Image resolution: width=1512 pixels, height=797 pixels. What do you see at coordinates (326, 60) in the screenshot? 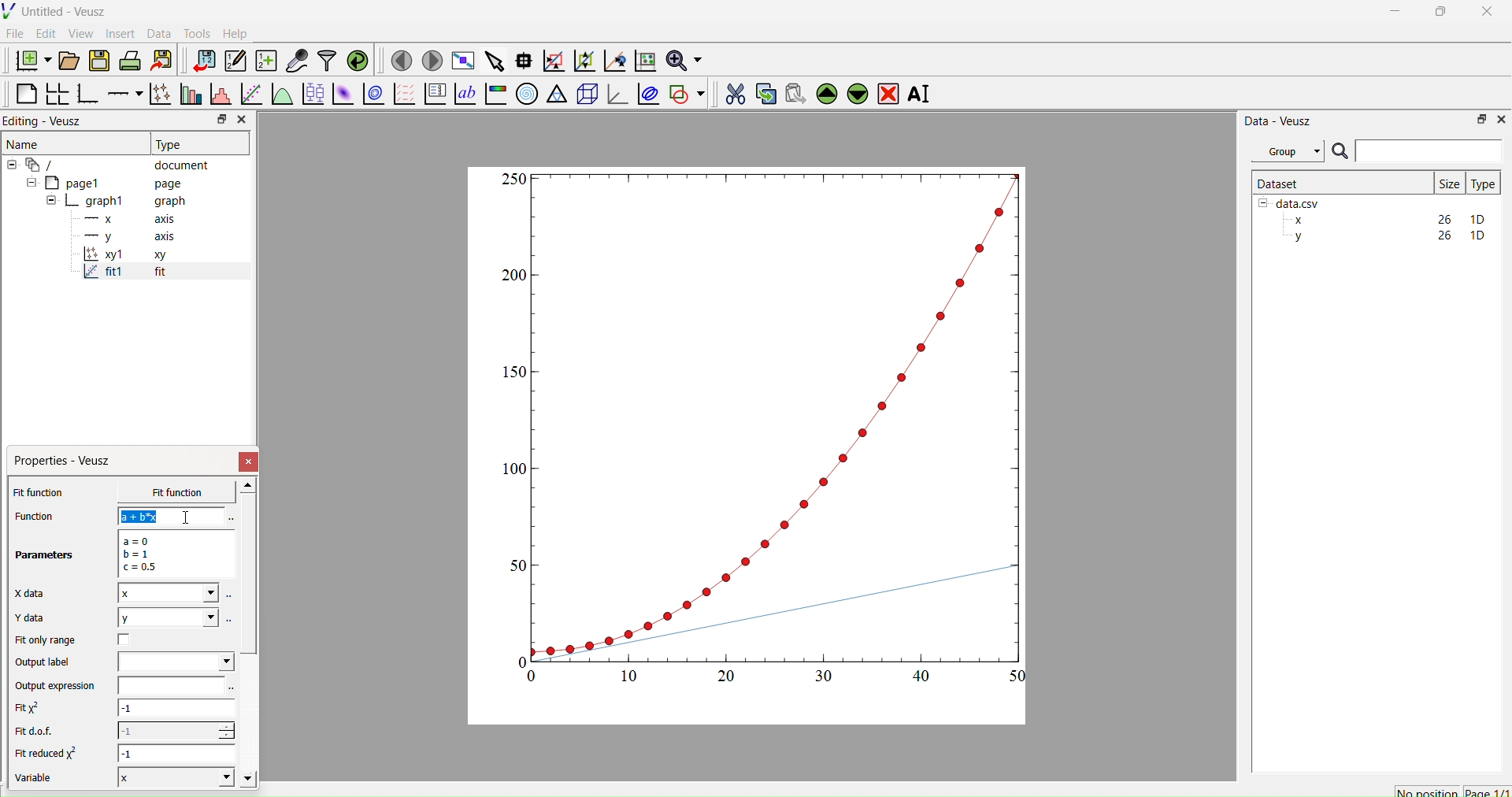
I see `Filter data` at bounding box center [326, 60].